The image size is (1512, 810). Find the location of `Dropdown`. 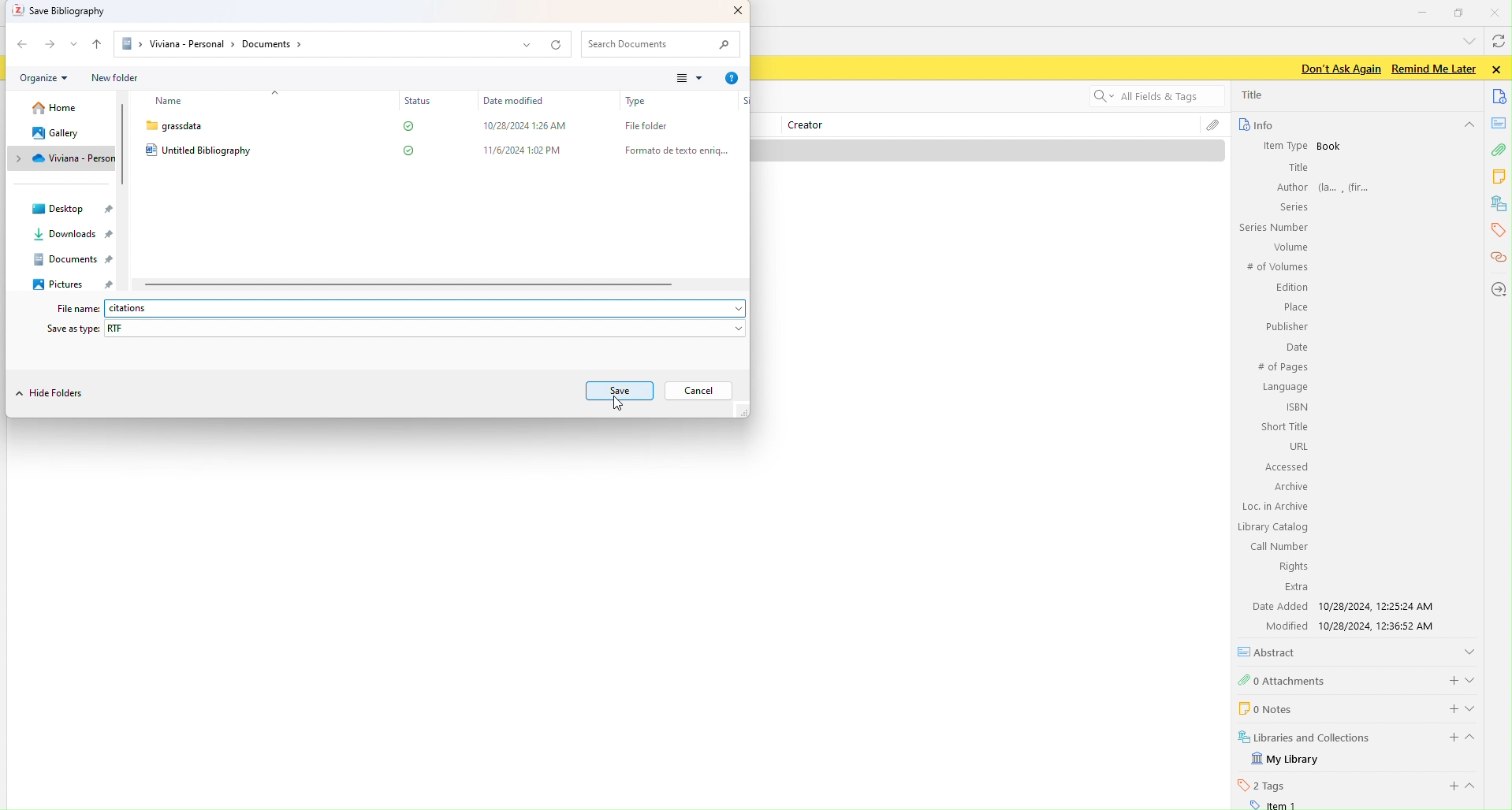

Dropdown is located at coordinates (526, 46).